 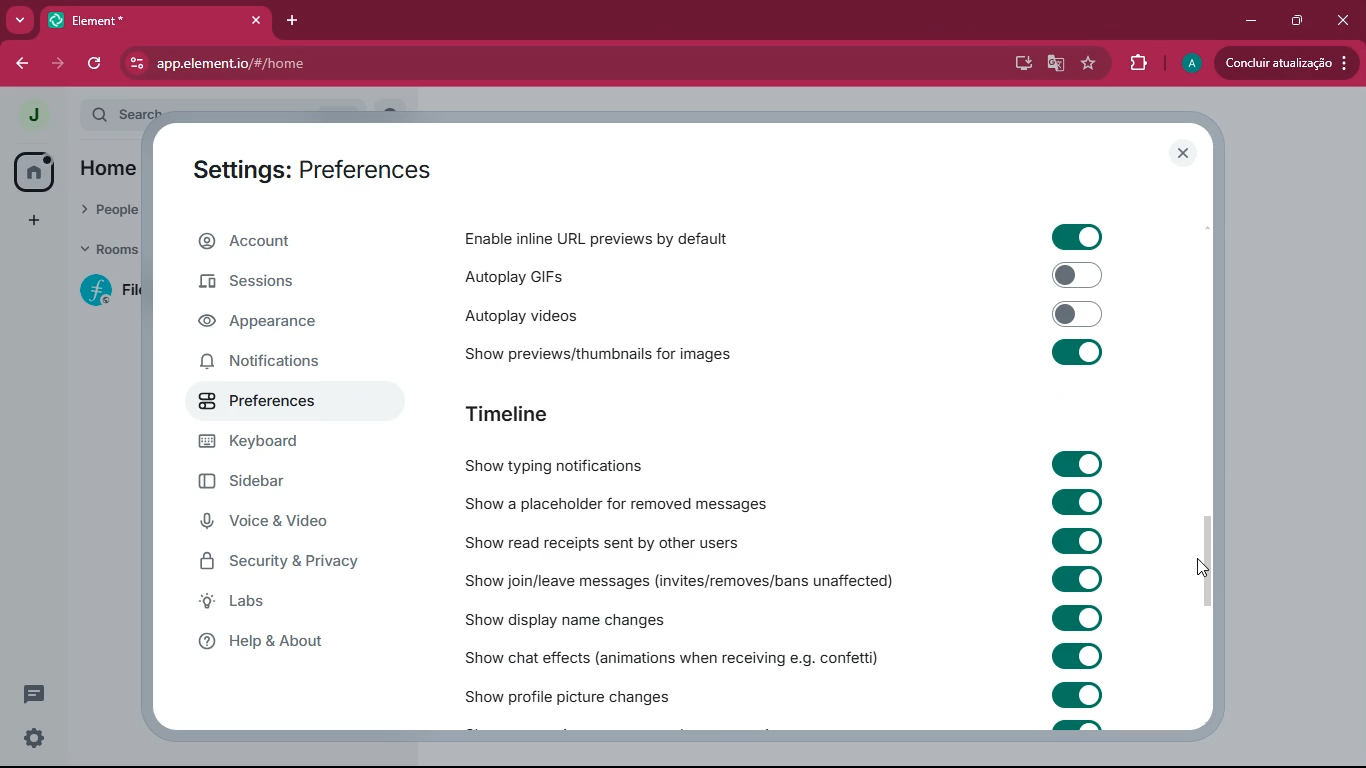 What do you see at coordinates (291, 562) in the screenshot?
I see `security & privacy` at bounding box center [291, 562].